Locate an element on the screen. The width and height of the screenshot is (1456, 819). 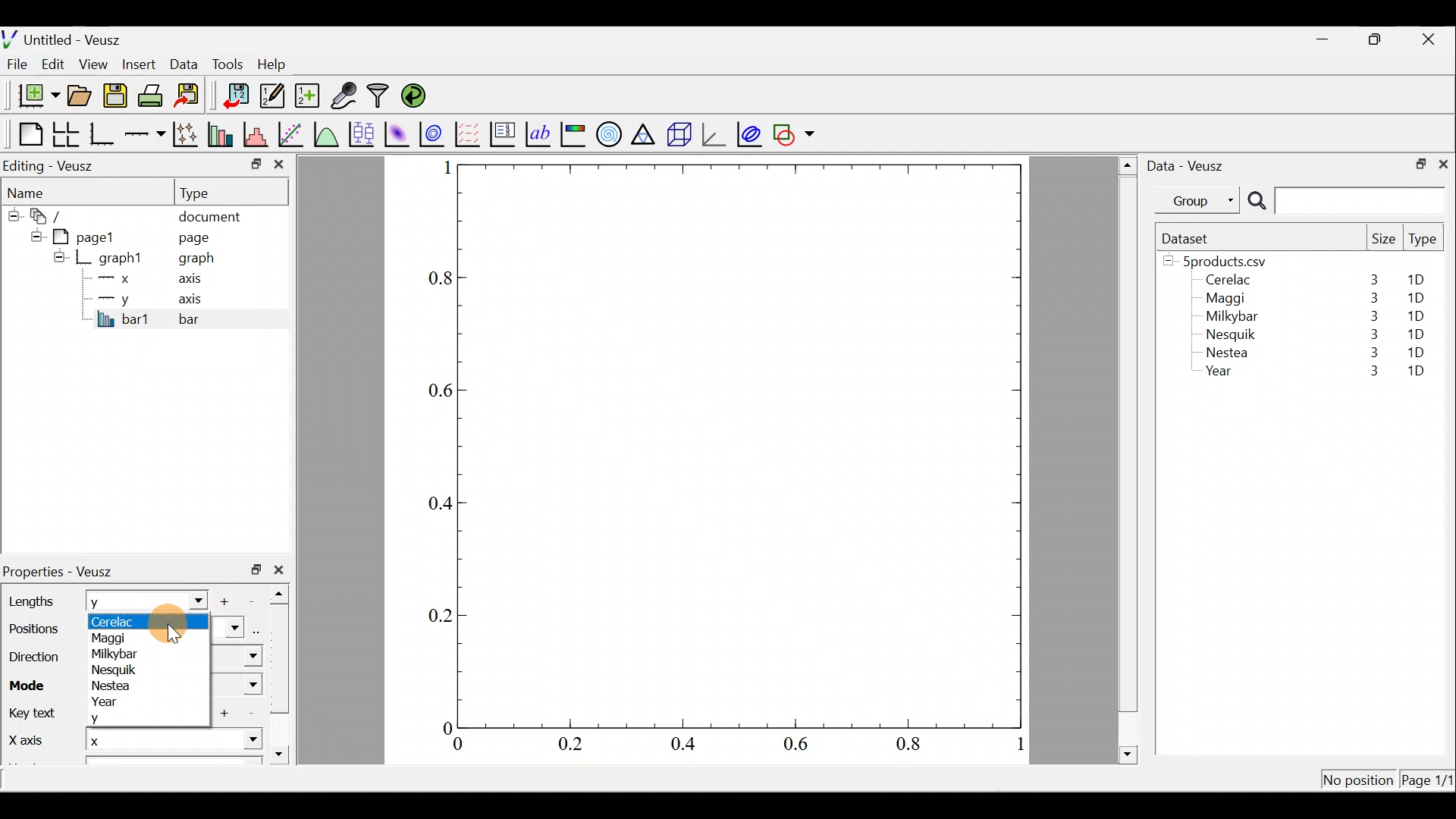
document is located at coordinates (209, 214).